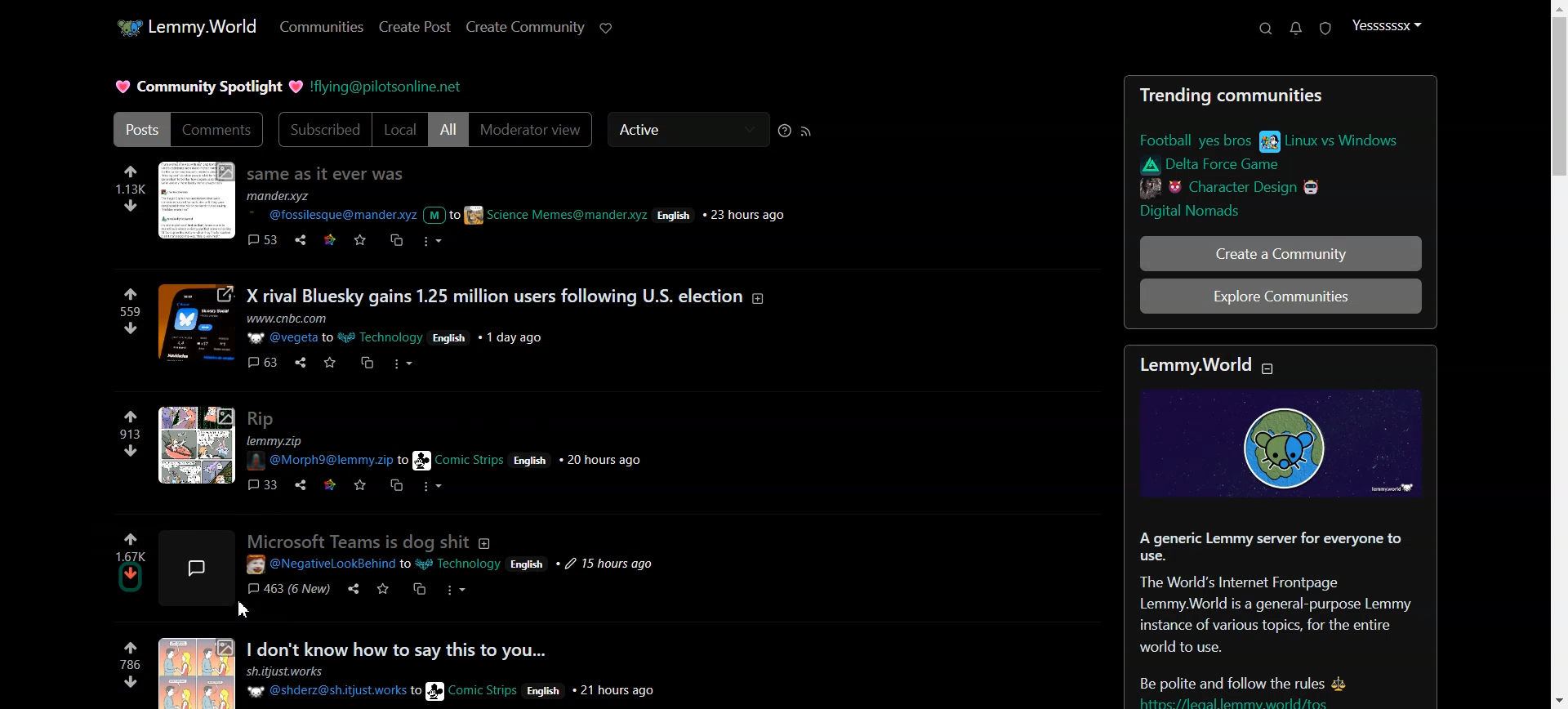 The image size is (1568, 709). I want to click on Home page, so click(182, 26).